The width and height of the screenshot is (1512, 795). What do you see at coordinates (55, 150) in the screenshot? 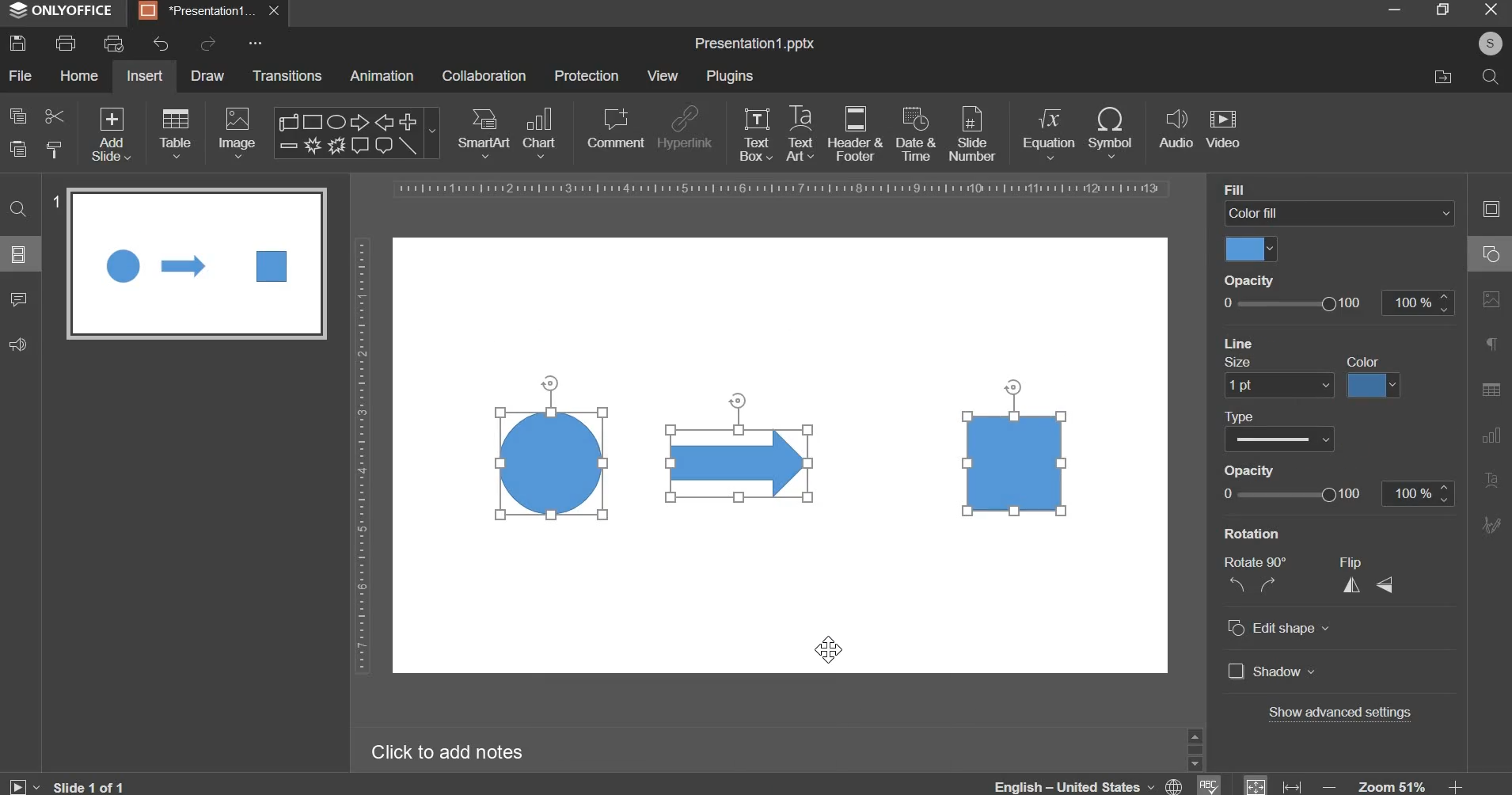
I see `copy style` at bounding box center [55, 150].